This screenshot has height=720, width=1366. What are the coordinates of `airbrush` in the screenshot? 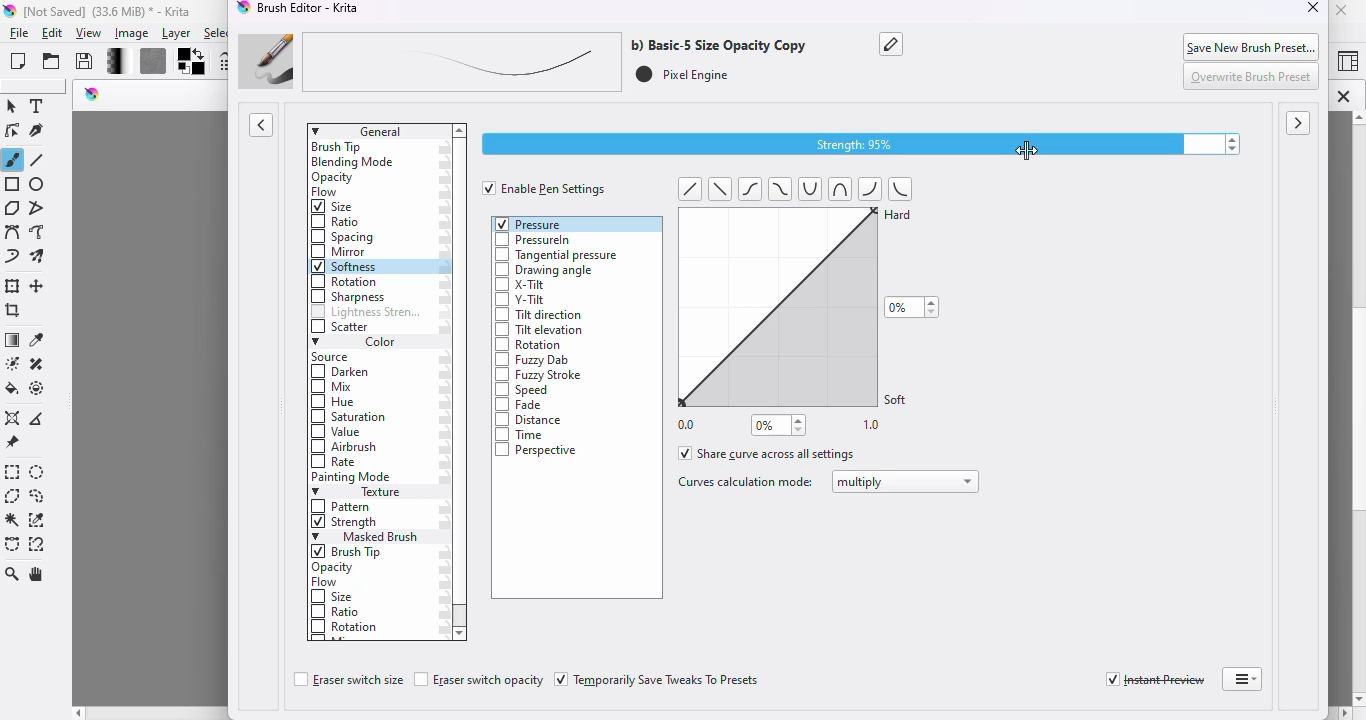 It's located at (344, 448).